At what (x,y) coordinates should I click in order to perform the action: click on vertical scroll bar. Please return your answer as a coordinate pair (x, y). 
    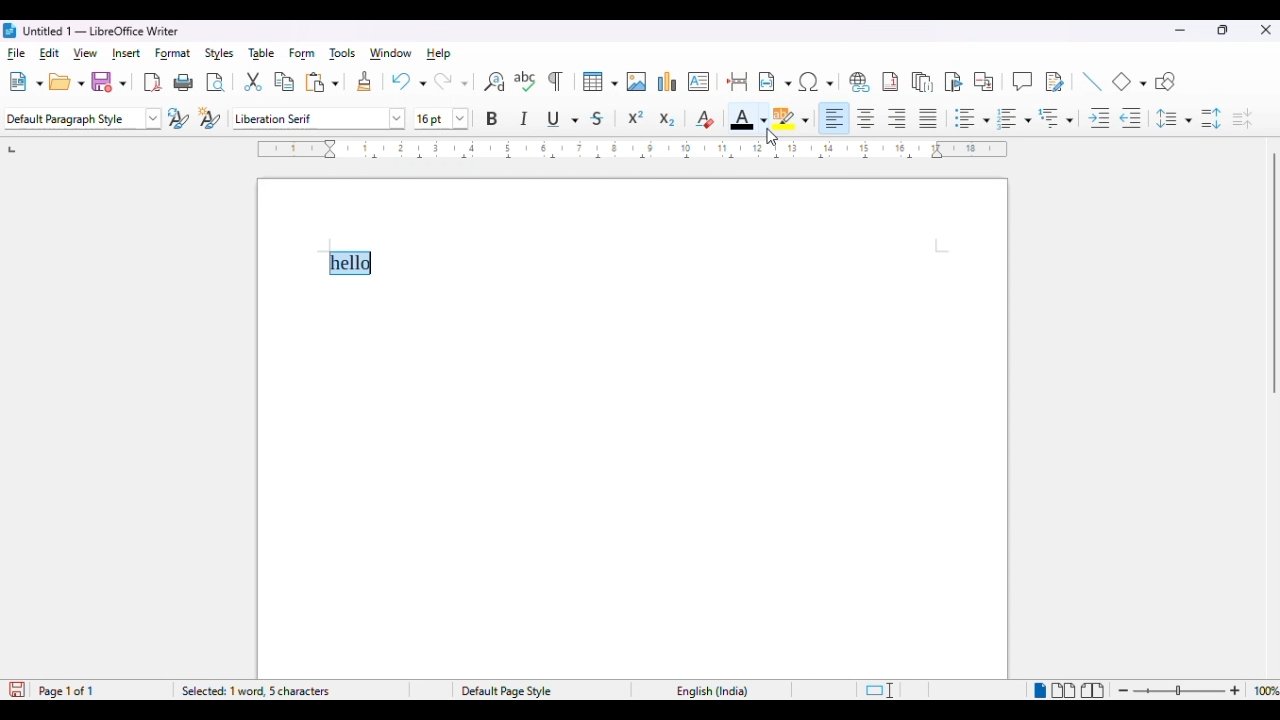
    Looking at the image, I should click on (1272, 274).